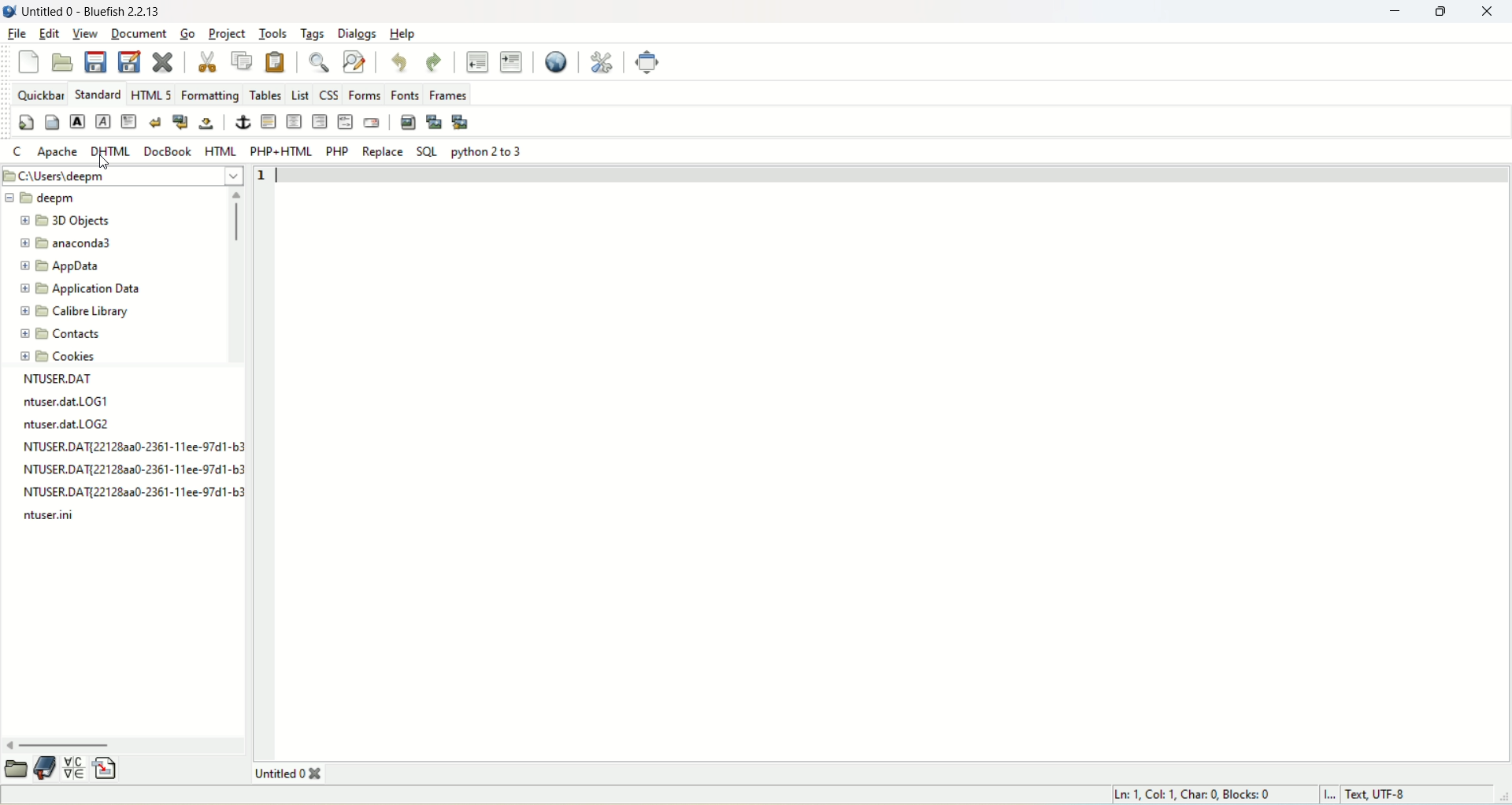 Image resolution: width=1512 pixels, height=805 pixels. What do you see at coordinates (139, 34) in the screenshot?
I see `document` at bounding box center [139, 34].